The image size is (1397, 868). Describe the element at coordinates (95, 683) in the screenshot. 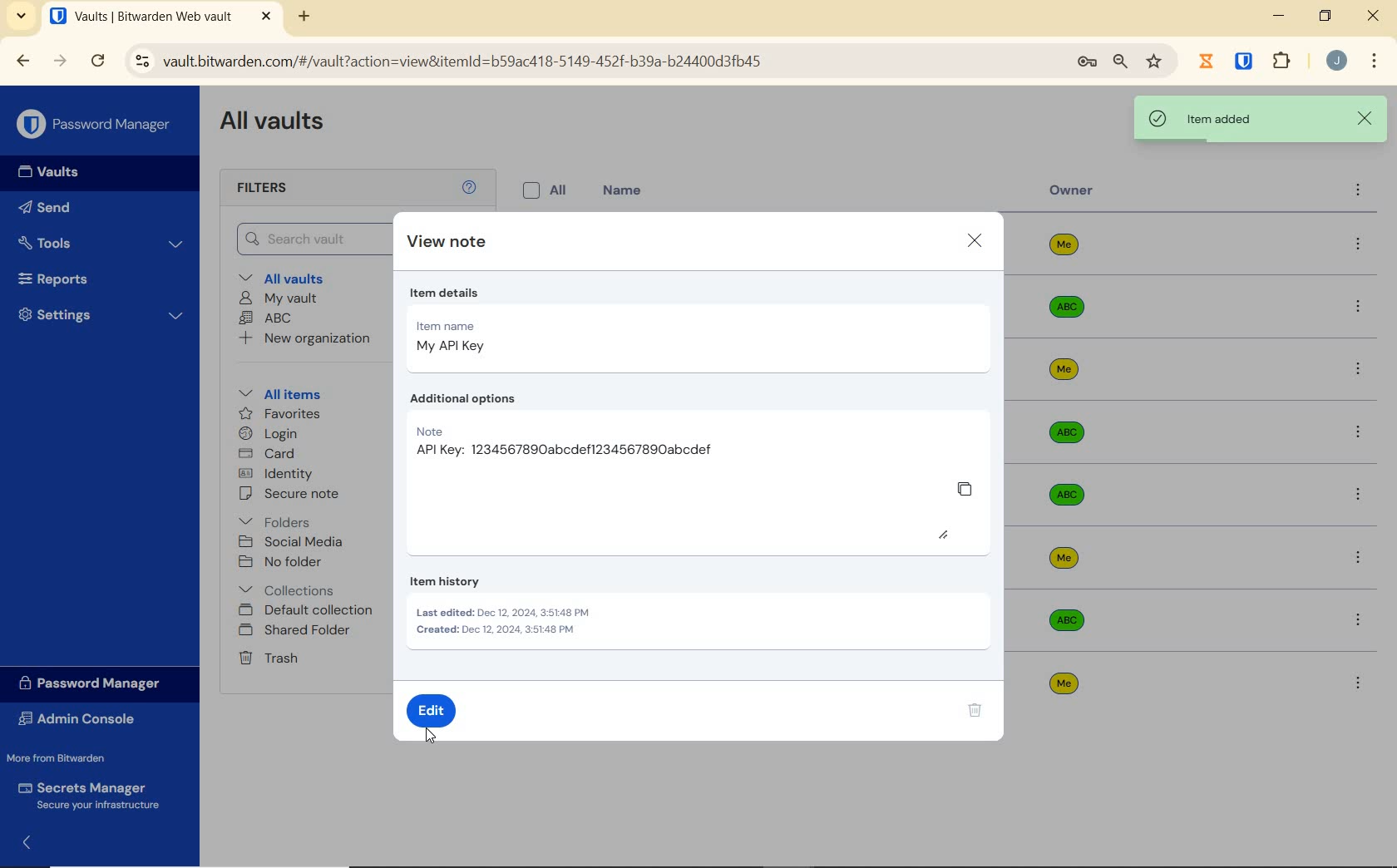

I see `Password Manager` at that location.